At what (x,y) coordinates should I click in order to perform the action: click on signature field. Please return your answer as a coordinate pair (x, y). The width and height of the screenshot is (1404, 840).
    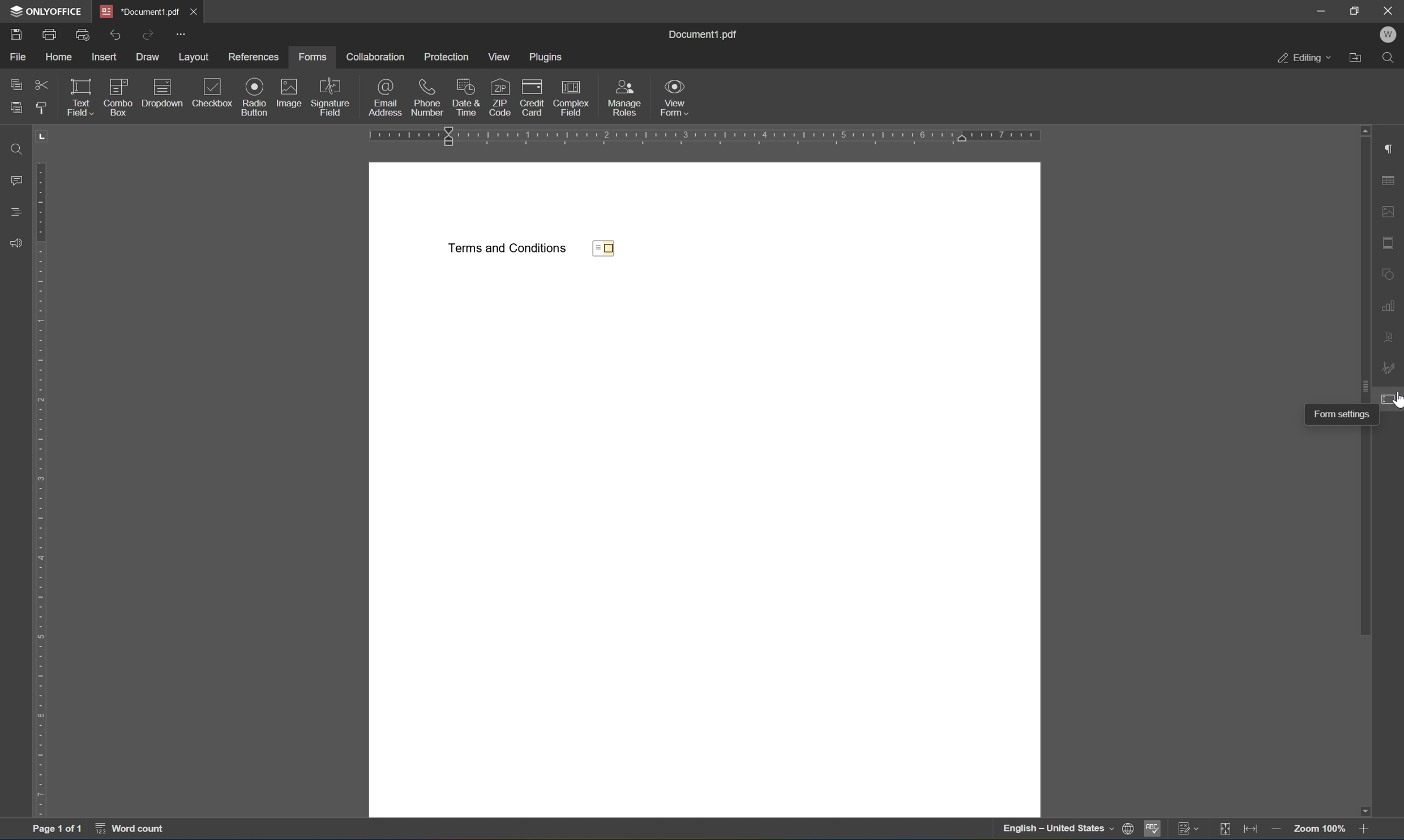
    Looking at the image, I should click on (330, 96).